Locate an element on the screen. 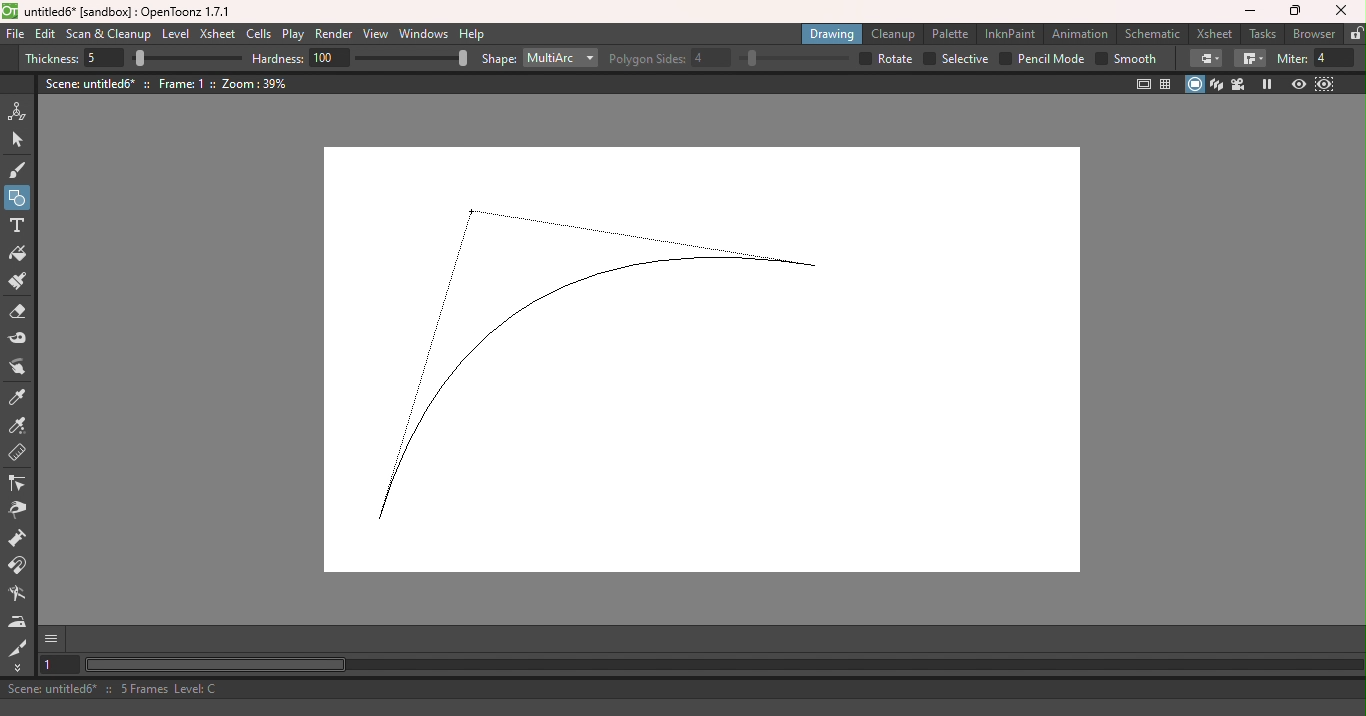 The width and height of the screenshot is (1366, 716). Geometric tool is located at coordinates (18, 198).